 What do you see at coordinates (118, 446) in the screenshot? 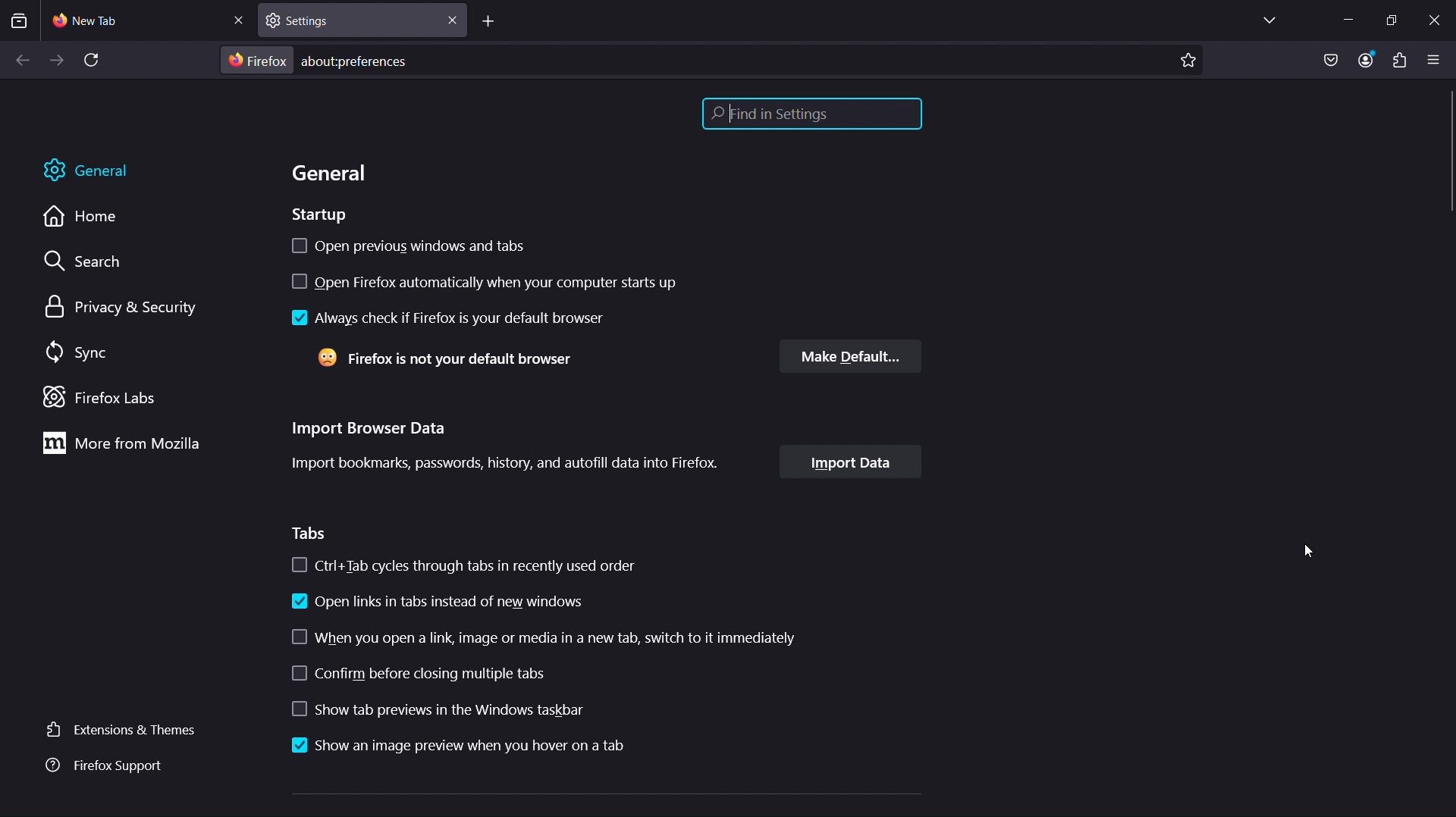
I see `More from Mozilla` at bounding box center [118, 446].